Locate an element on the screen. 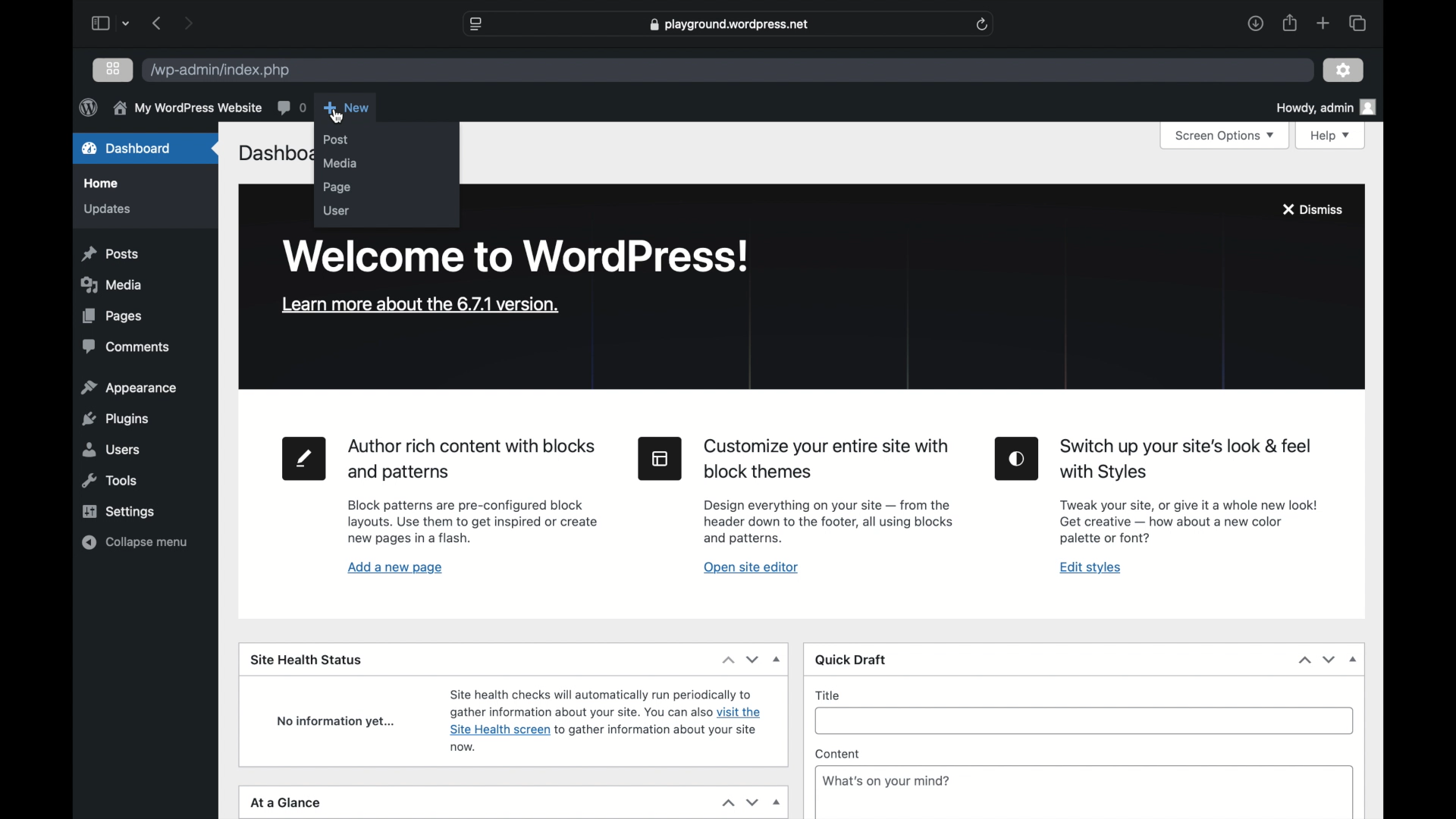  at a glance is located at coordinates (285, 803).